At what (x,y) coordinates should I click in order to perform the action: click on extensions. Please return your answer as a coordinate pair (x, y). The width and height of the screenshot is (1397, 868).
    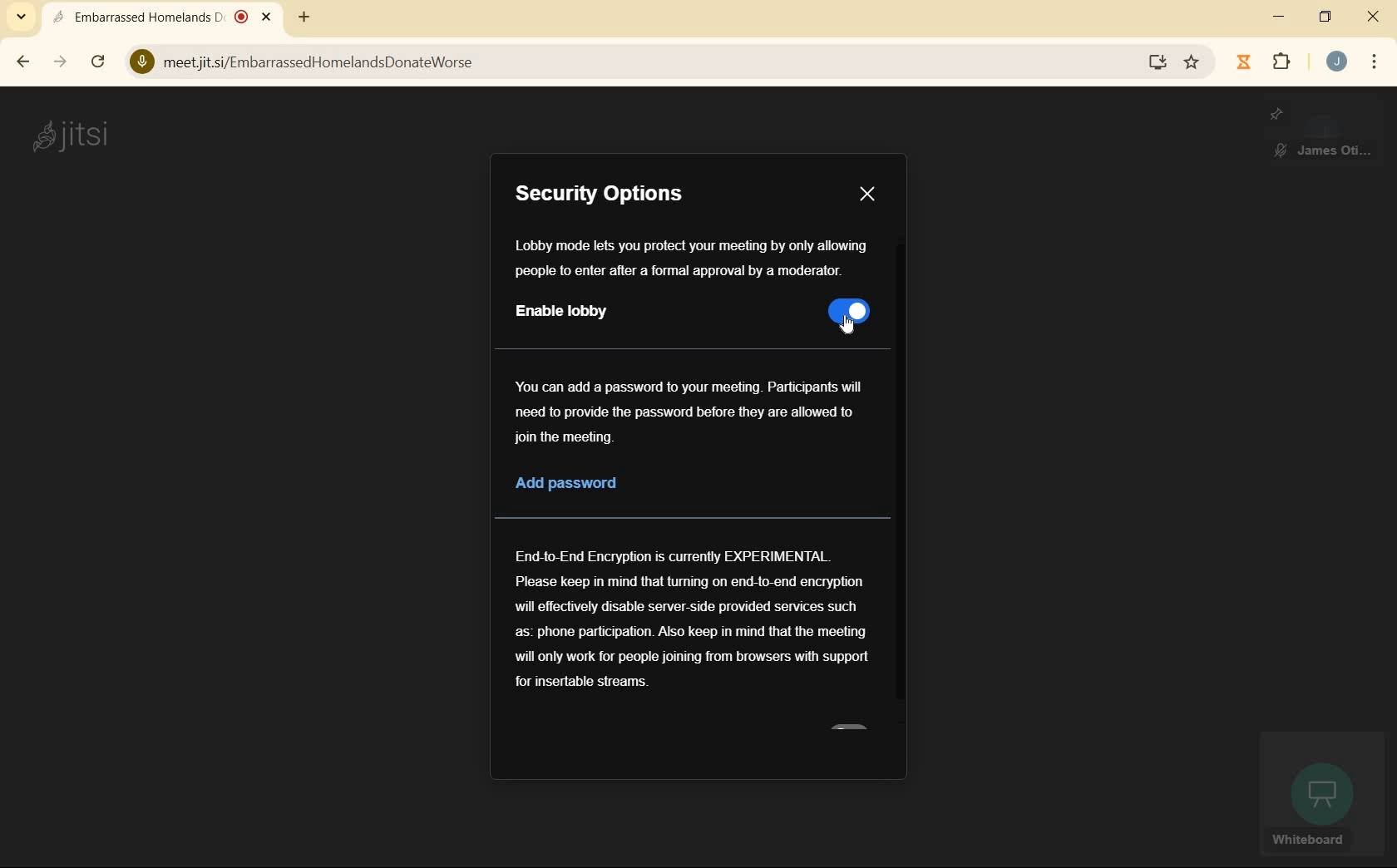
    Looking at the image, I should click on (1286, 63).